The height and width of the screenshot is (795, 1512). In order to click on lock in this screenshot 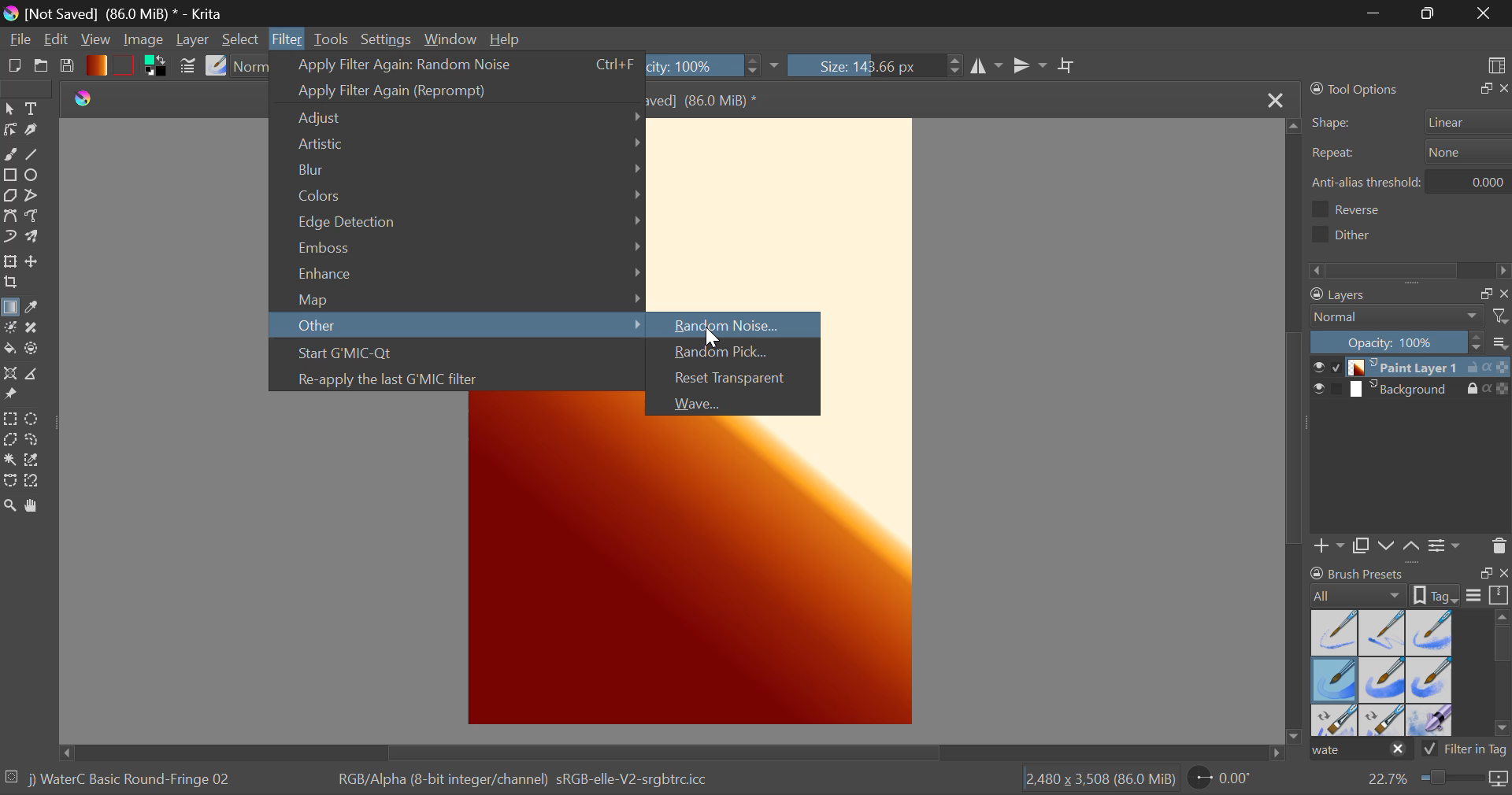, I will do `click(1475, 390)`.